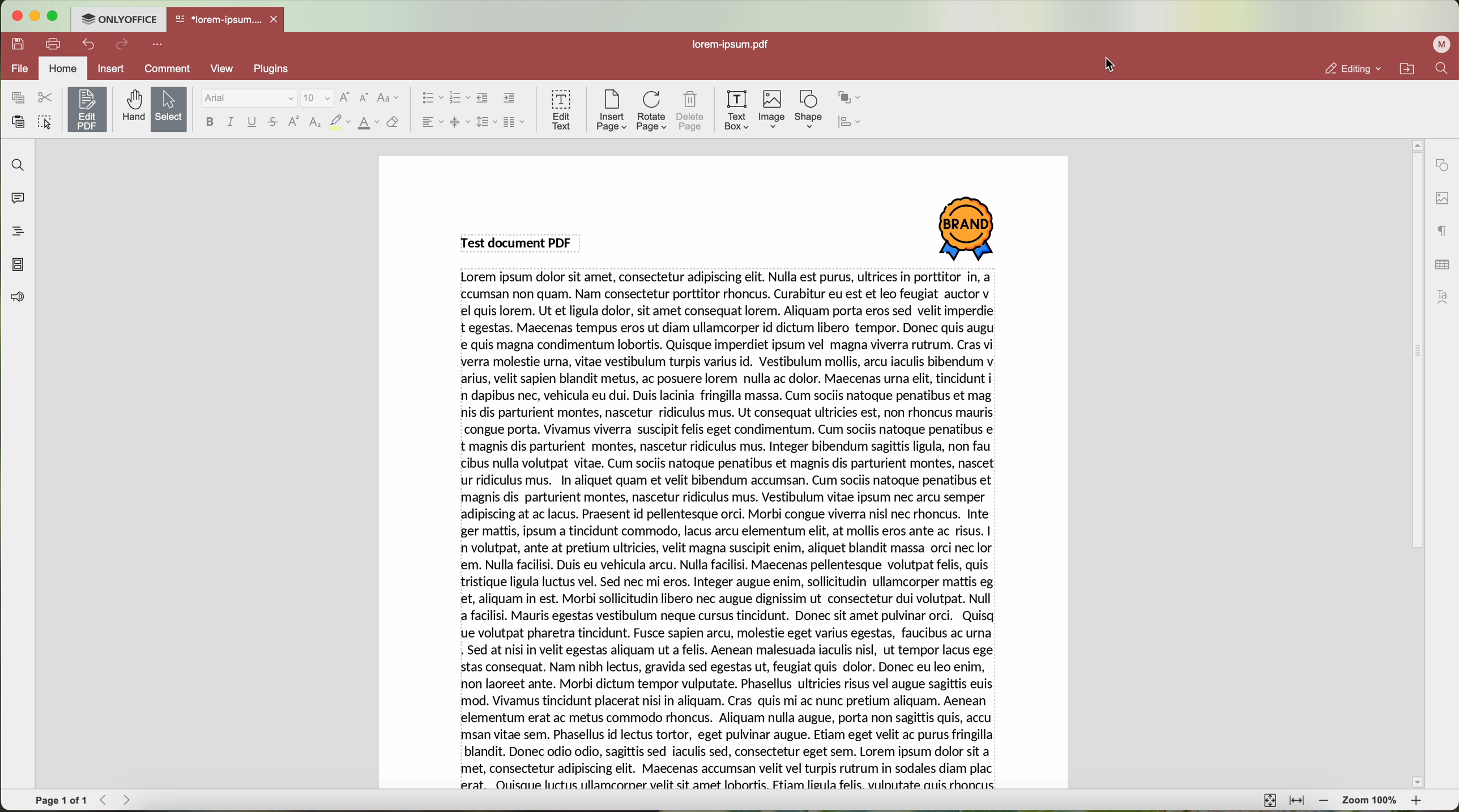 The image size is (1459, 812). I want to click on change case, so click(387, 98).